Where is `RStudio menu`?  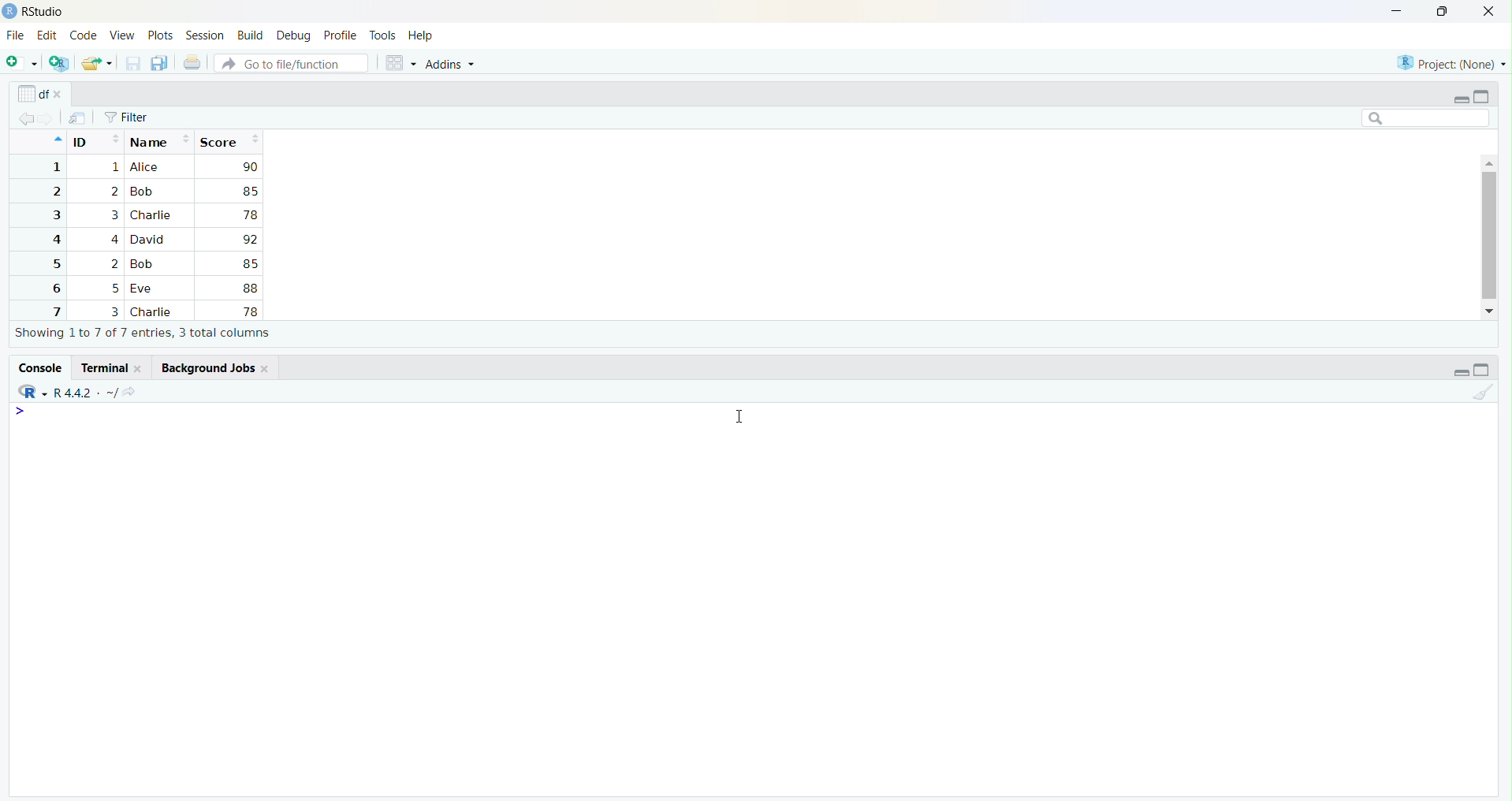
RStudio menu is located at coordinates (32, 392).